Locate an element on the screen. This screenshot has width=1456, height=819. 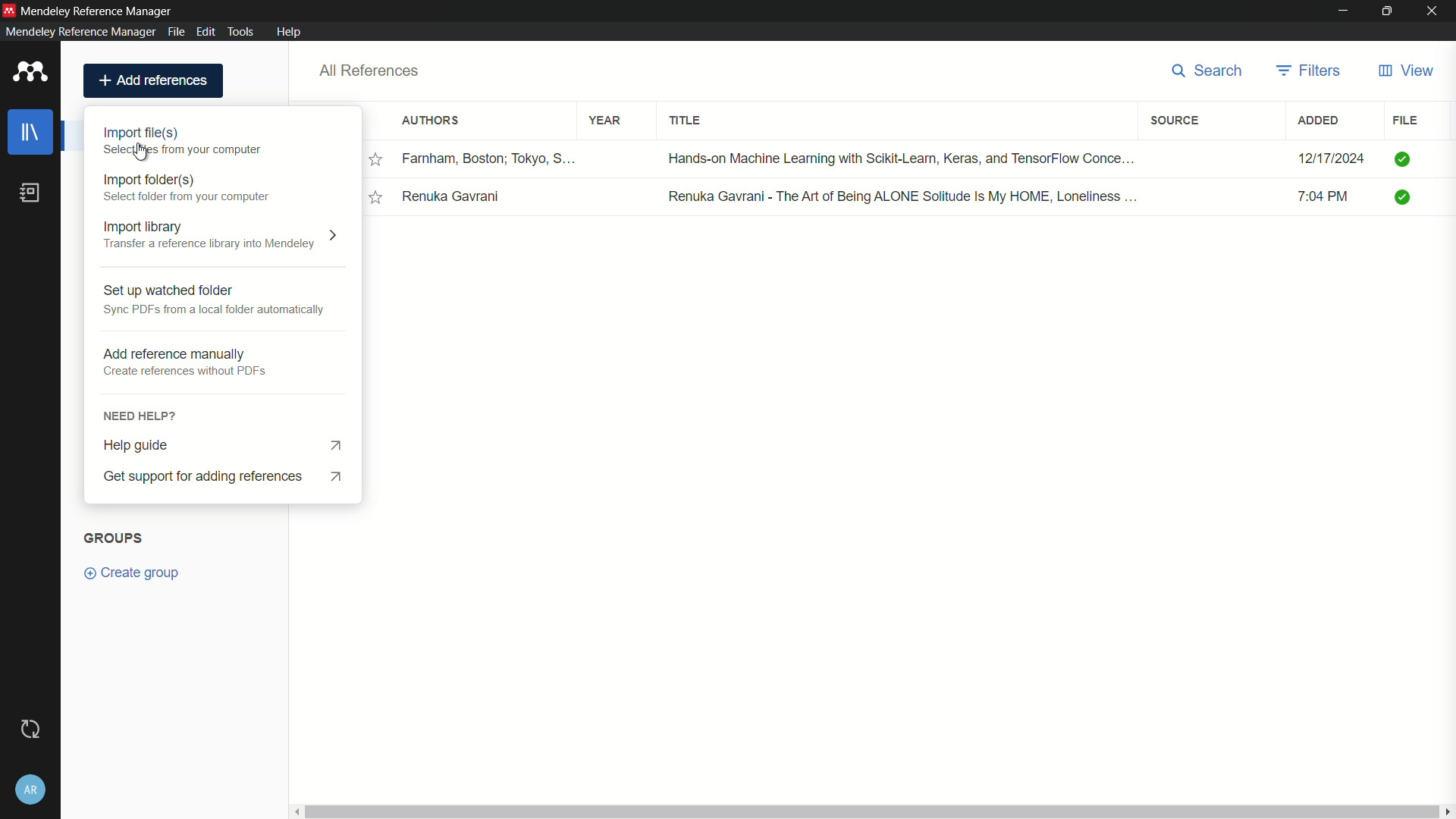
sync is located at coordinates (30, 729).